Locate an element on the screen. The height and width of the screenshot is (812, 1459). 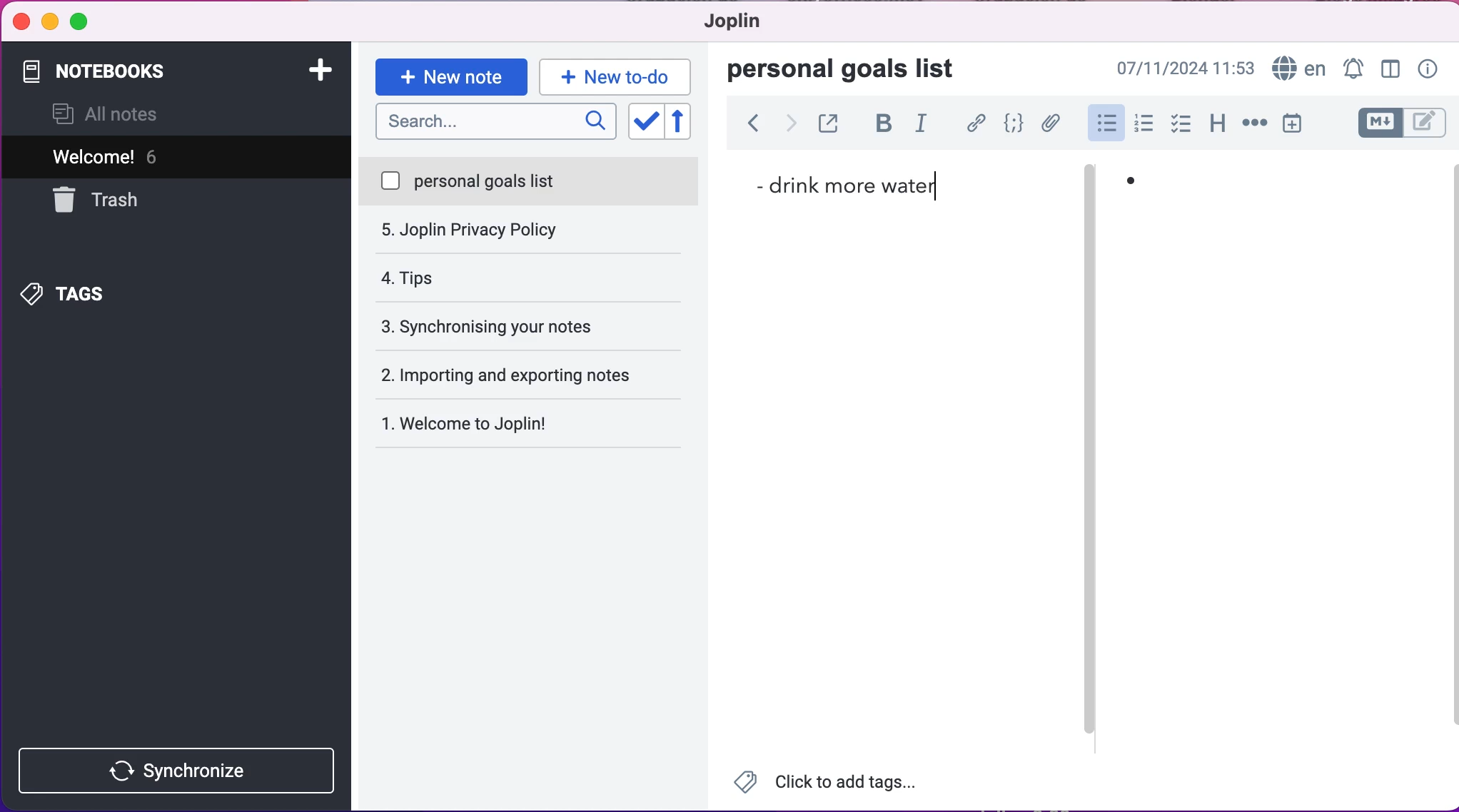
italic is located at coordinates (924, 127).